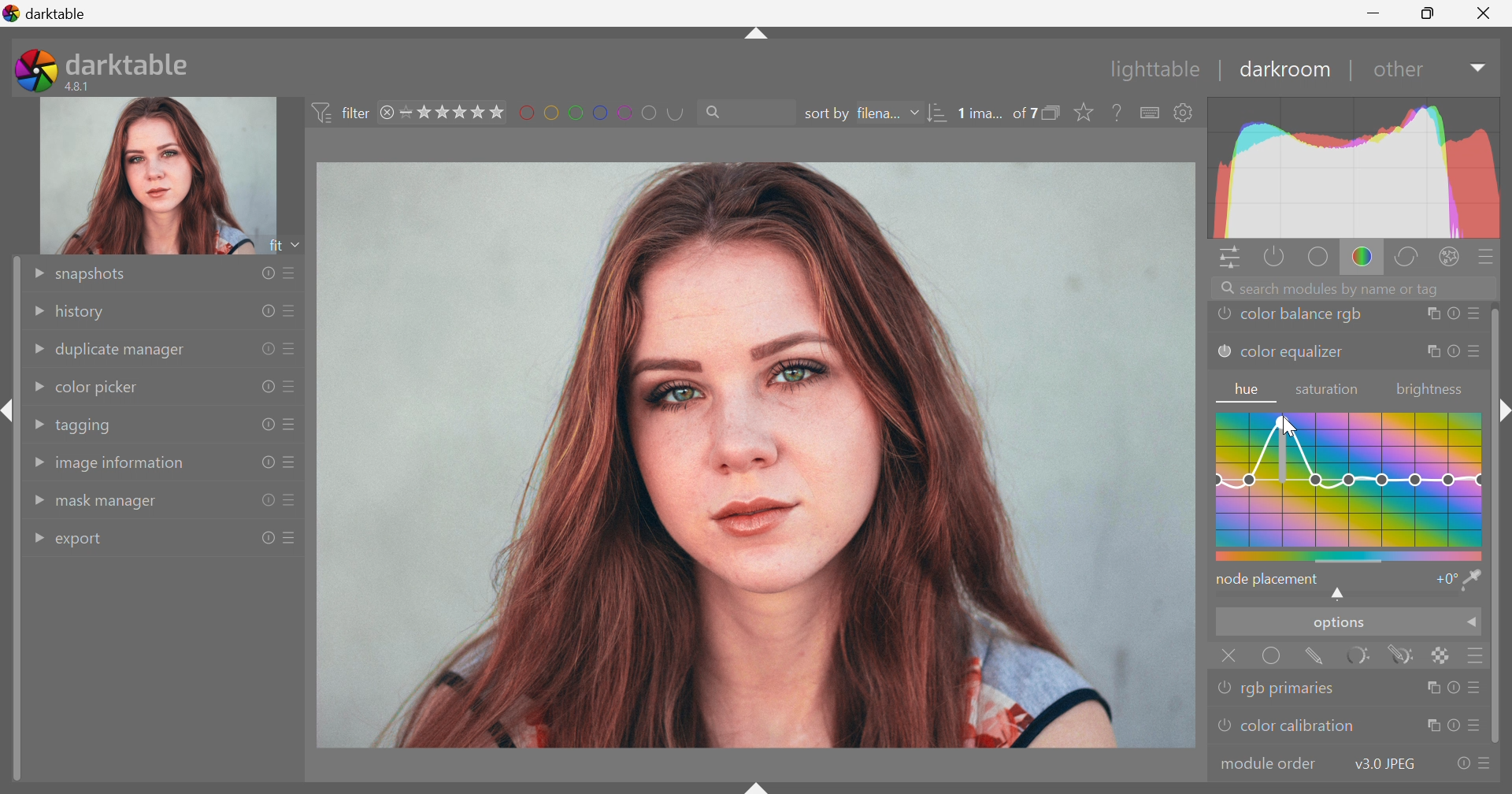  I want to click on effect, so click(1450, 255).